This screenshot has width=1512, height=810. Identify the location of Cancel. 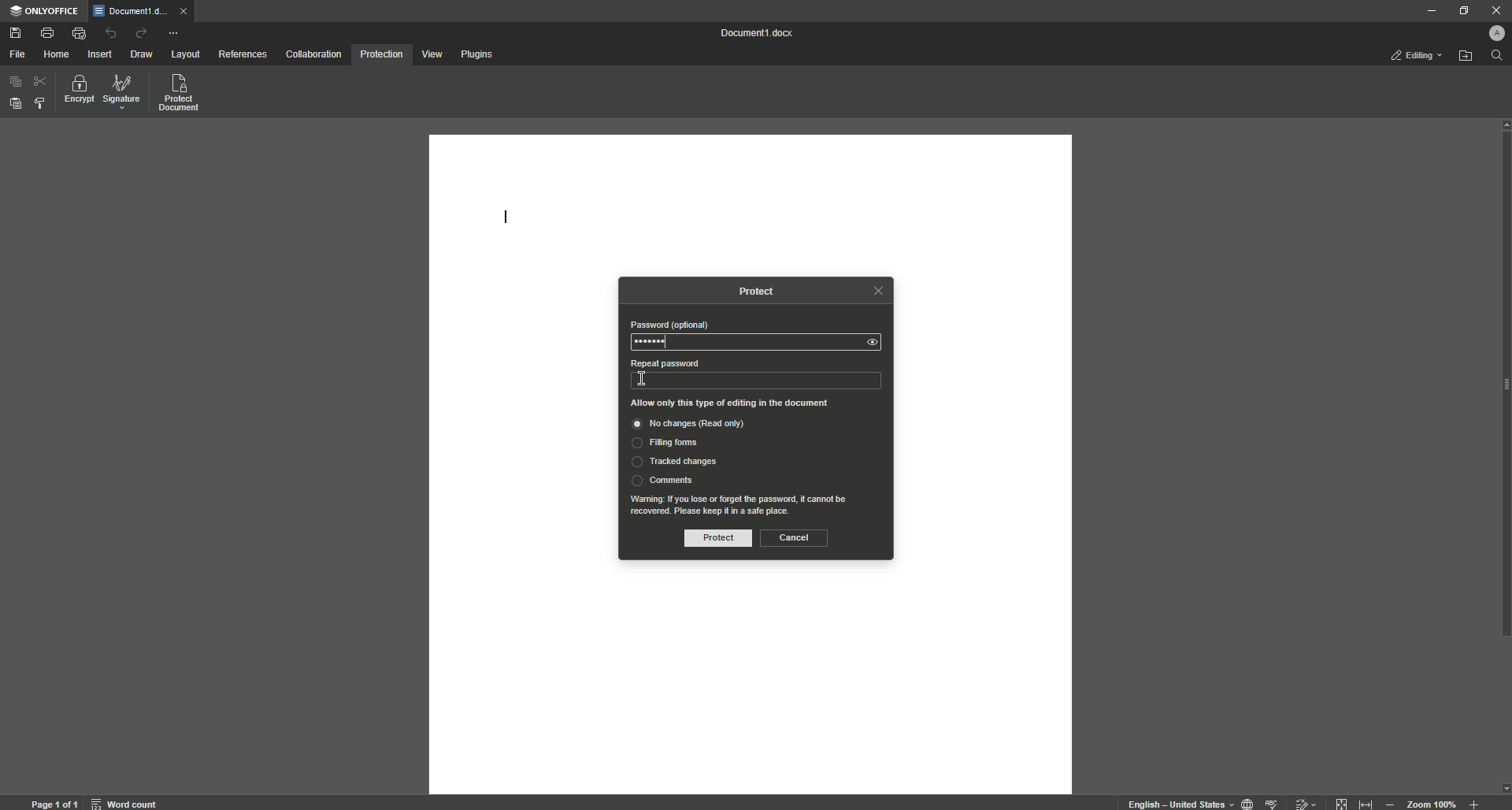
(794, 537).